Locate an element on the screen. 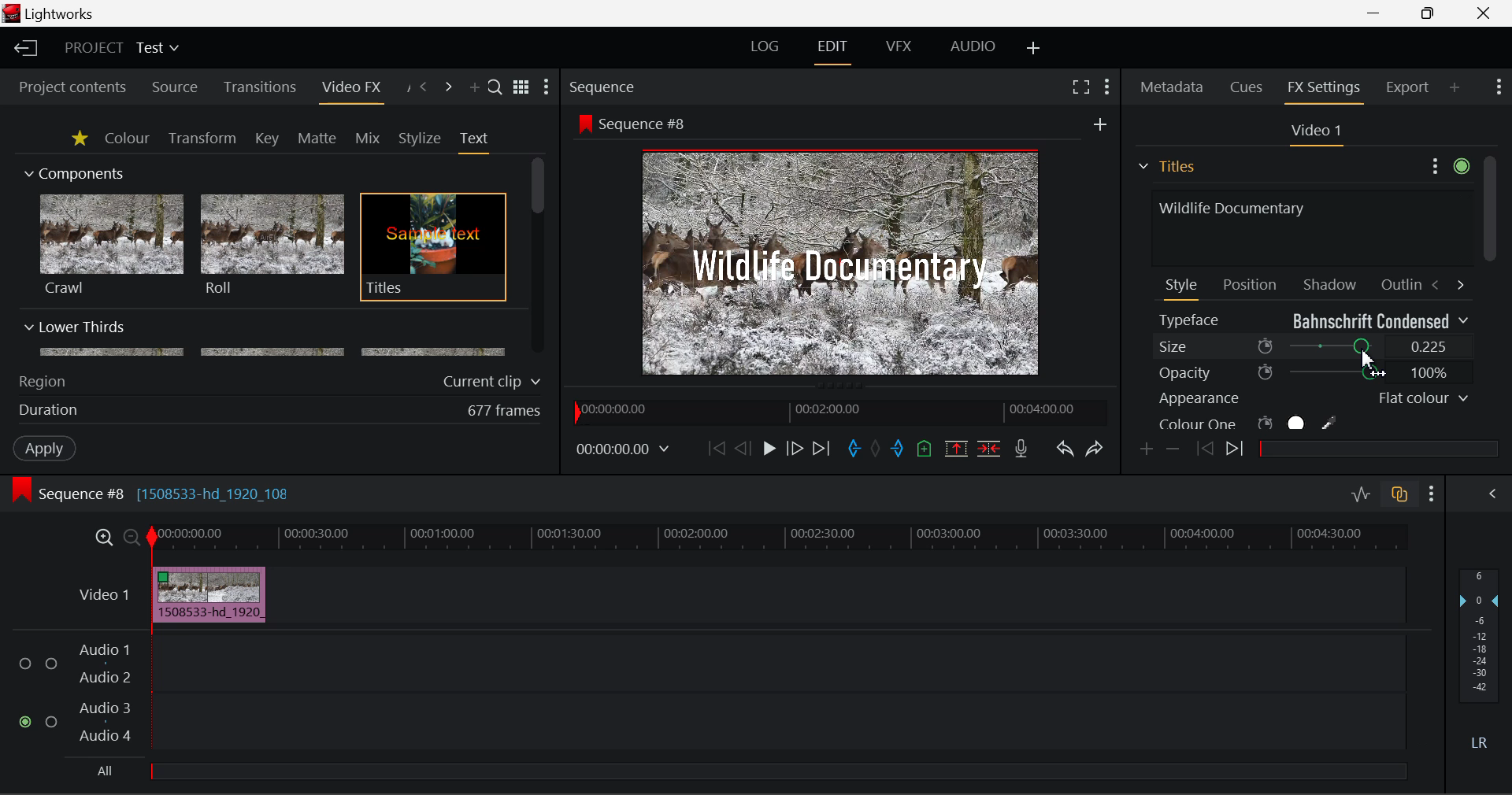 This screenshot has width=1512, height=795. Stylize is located at coordinates (421, 139).